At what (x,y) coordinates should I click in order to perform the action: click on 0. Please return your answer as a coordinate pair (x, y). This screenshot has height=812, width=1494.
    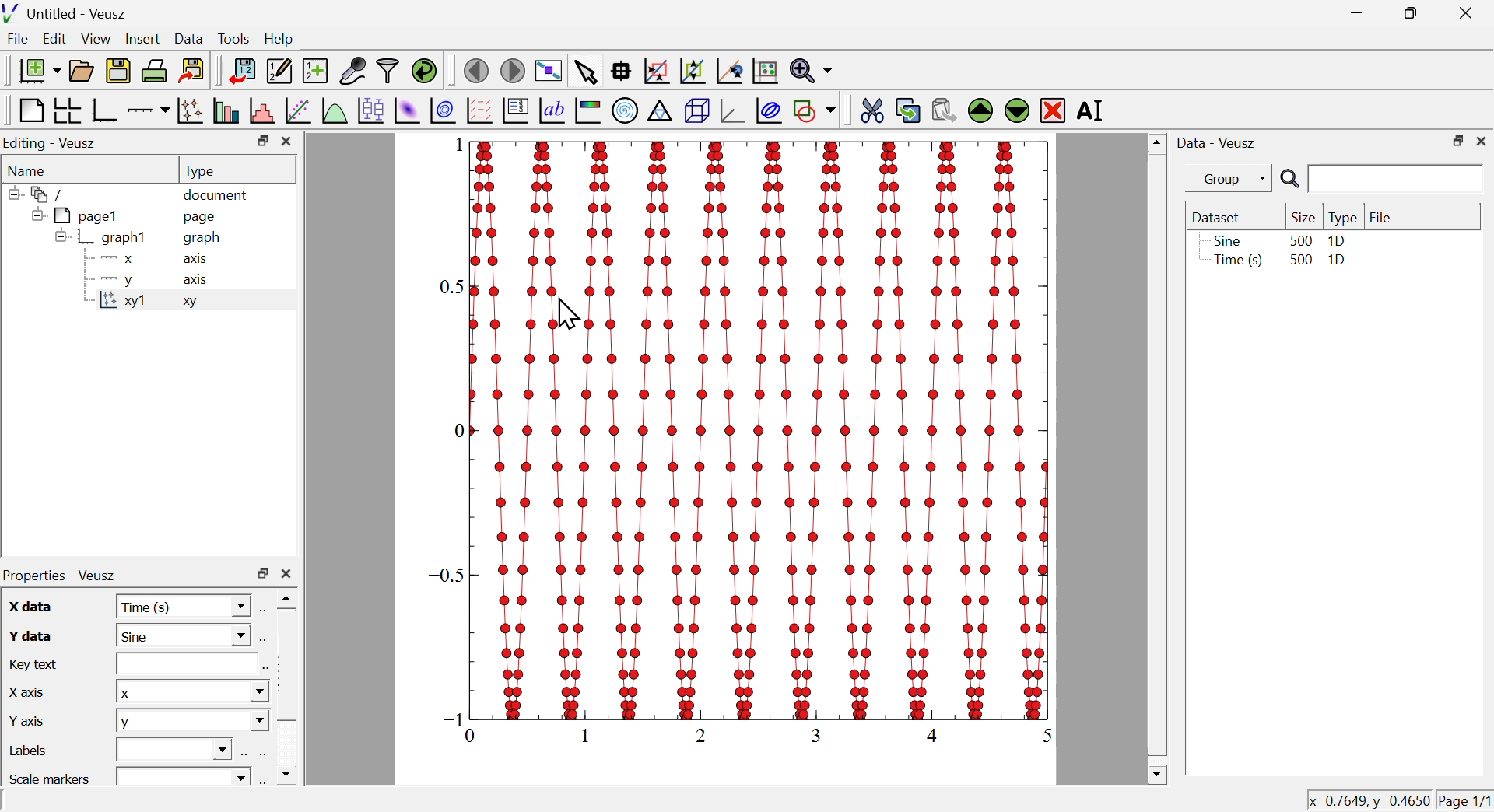
    Looking at the image, I should click on (475, 736).